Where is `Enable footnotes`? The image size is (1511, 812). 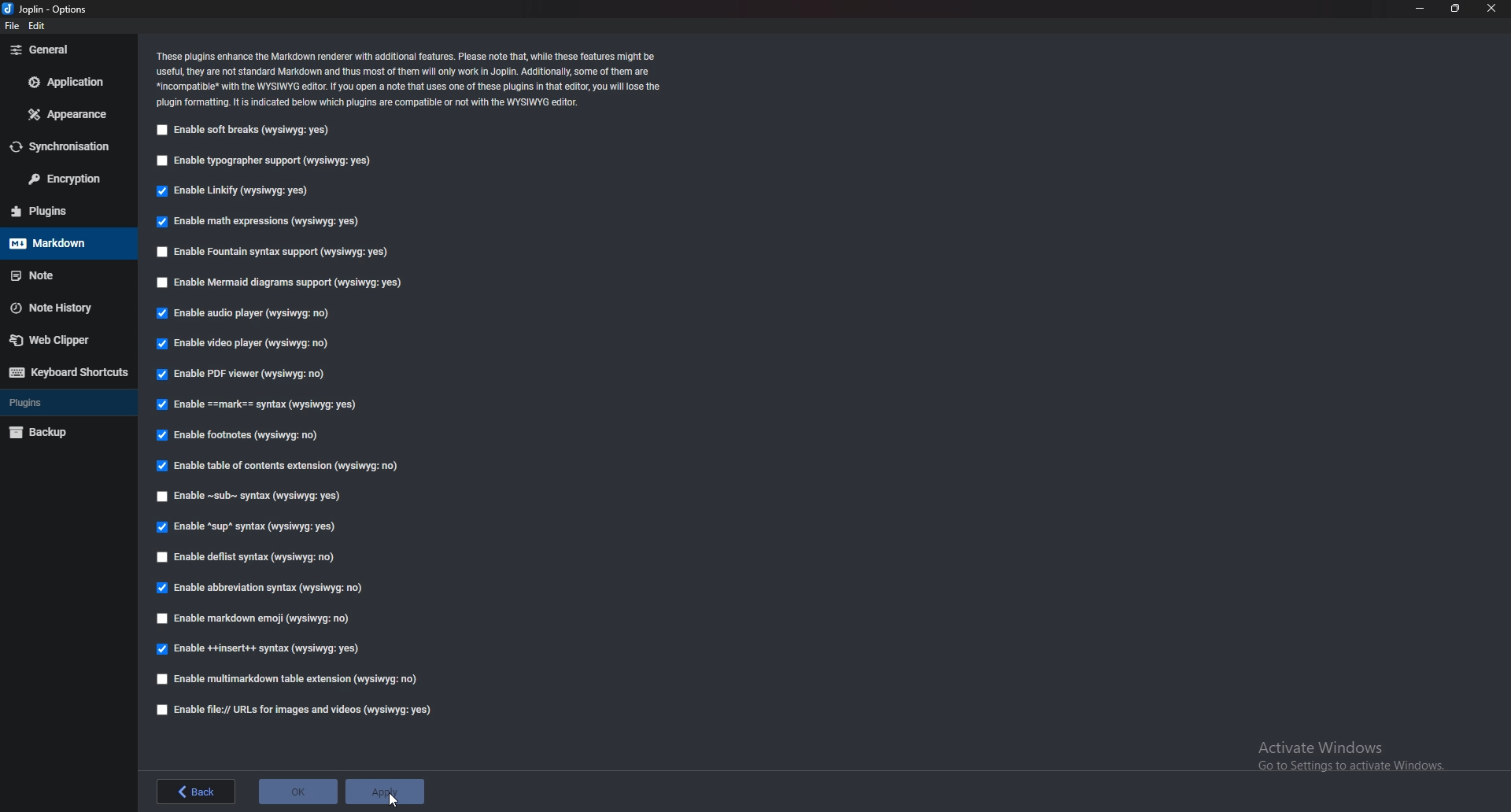 Enable footnotes is located at coordinates (245, 434).